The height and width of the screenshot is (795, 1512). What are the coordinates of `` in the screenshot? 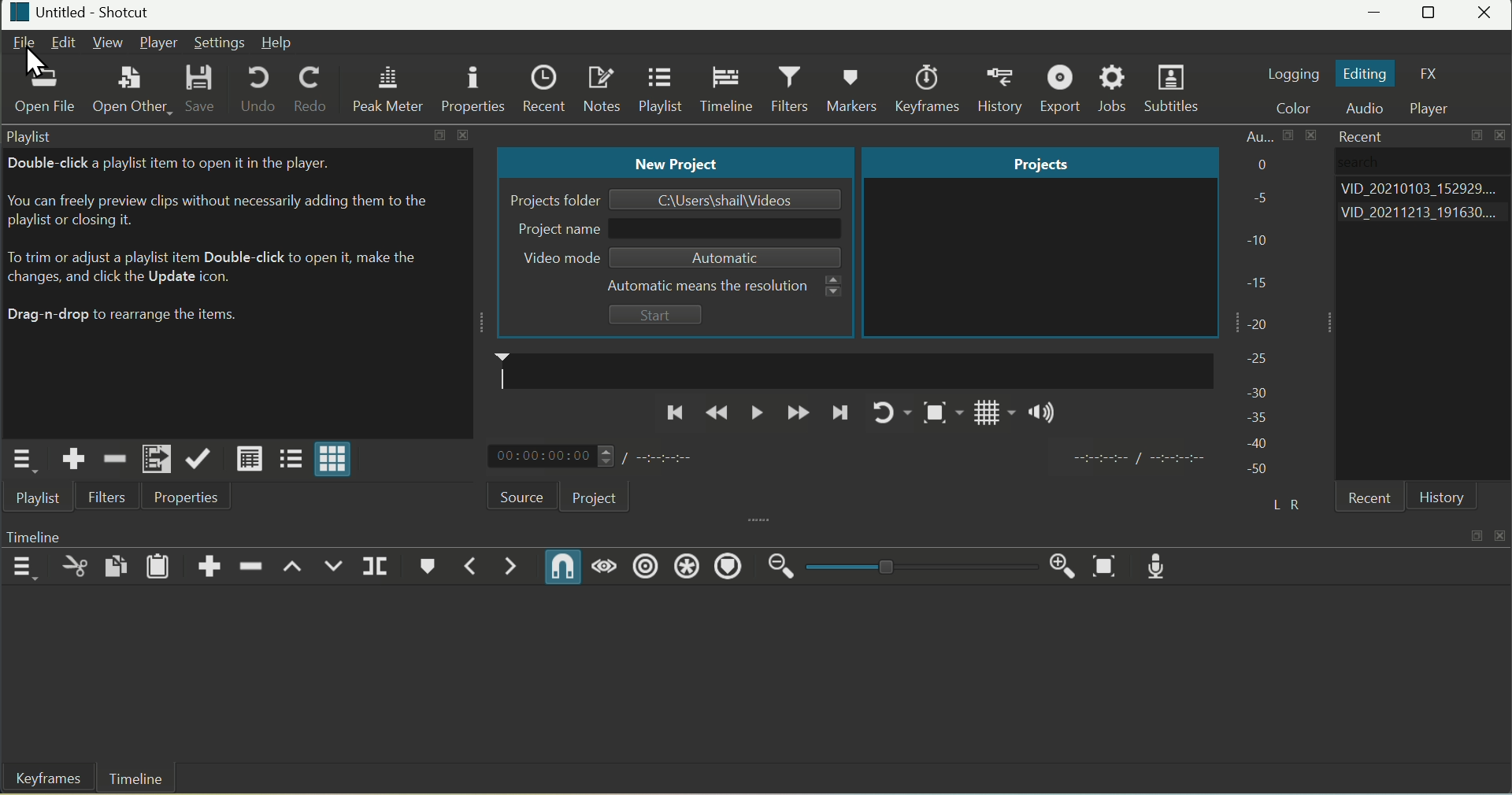 It's located at (1432, 74).